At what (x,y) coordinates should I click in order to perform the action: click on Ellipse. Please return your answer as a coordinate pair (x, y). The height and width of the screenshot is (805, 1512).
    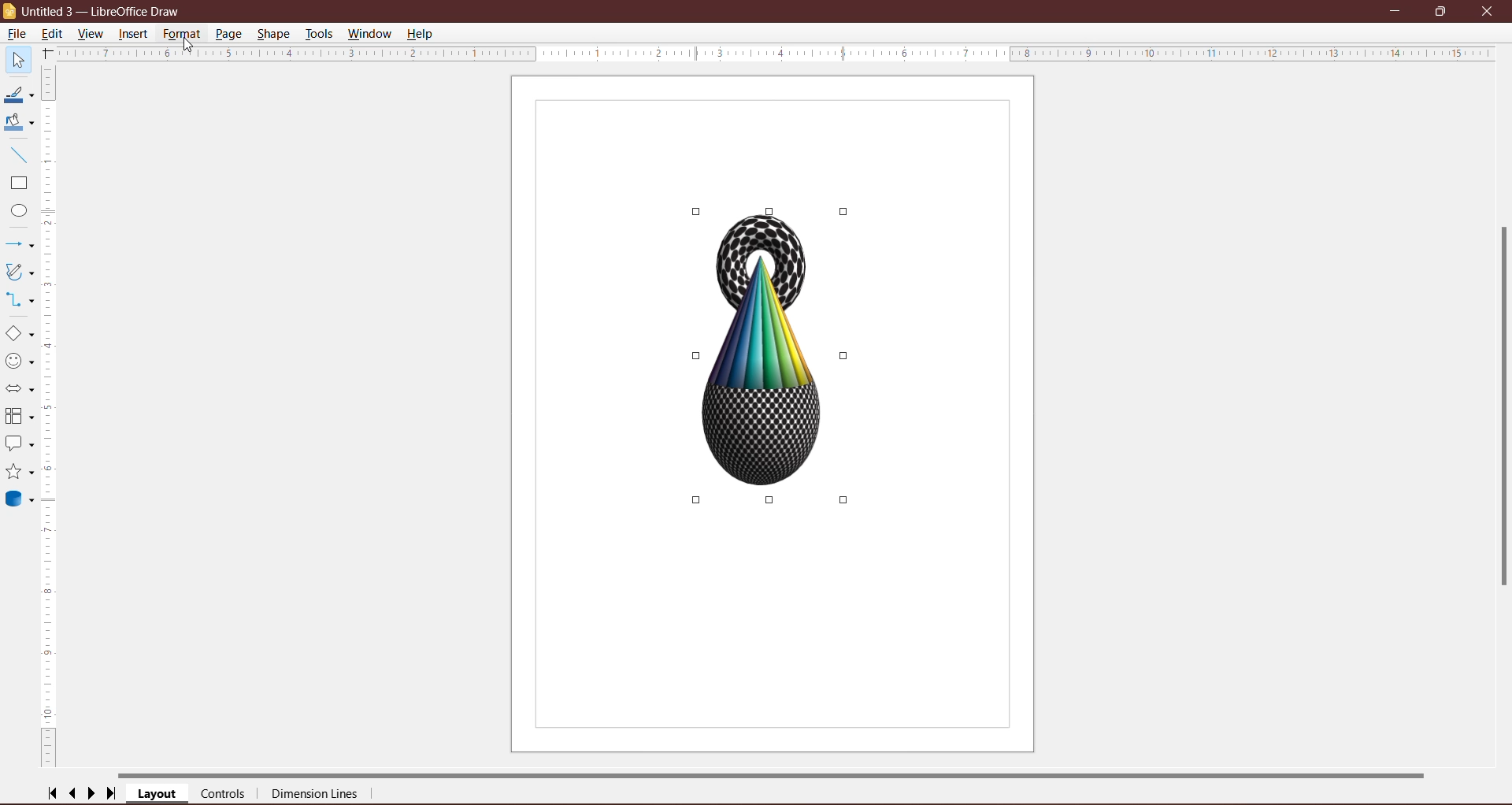
    Looking at the image, I should click on (16, 210).